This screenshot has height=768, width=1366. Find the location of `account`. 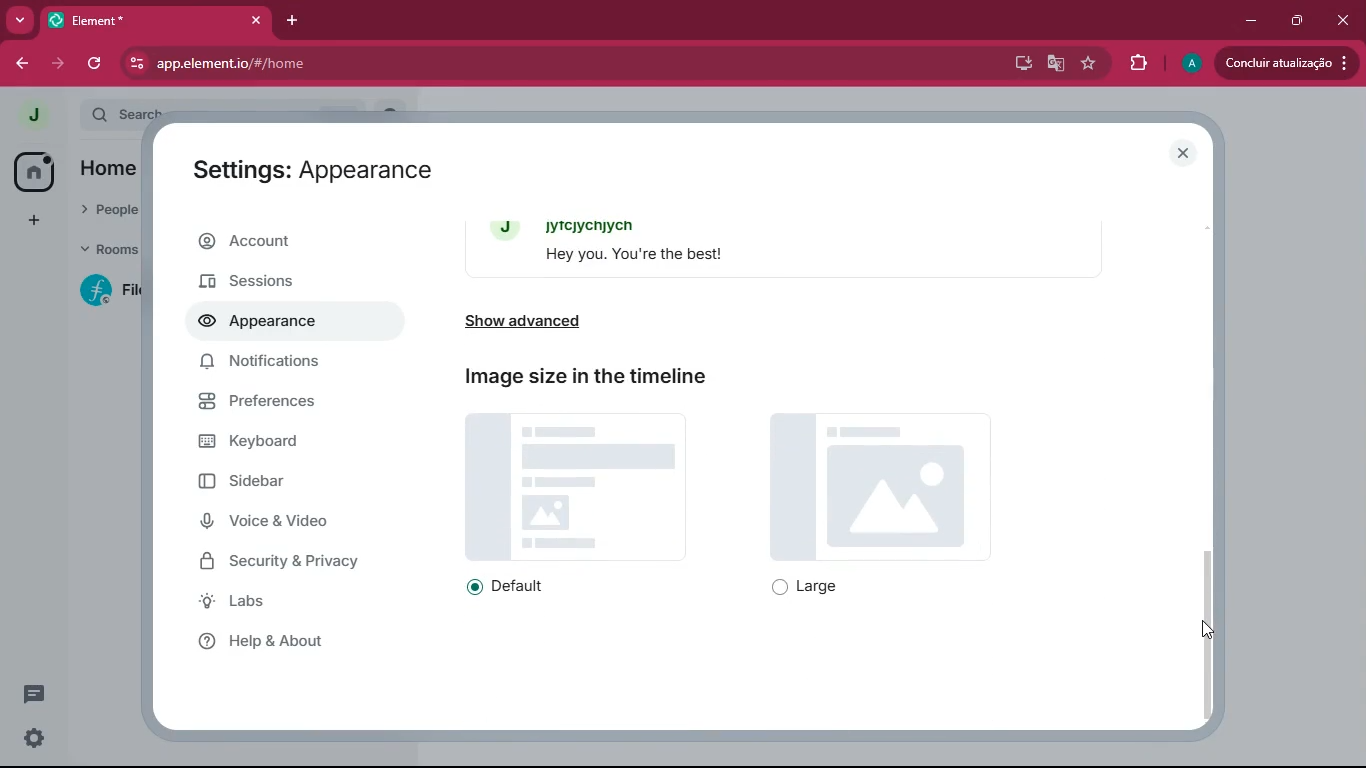

account is located at coordinates (289, 242).